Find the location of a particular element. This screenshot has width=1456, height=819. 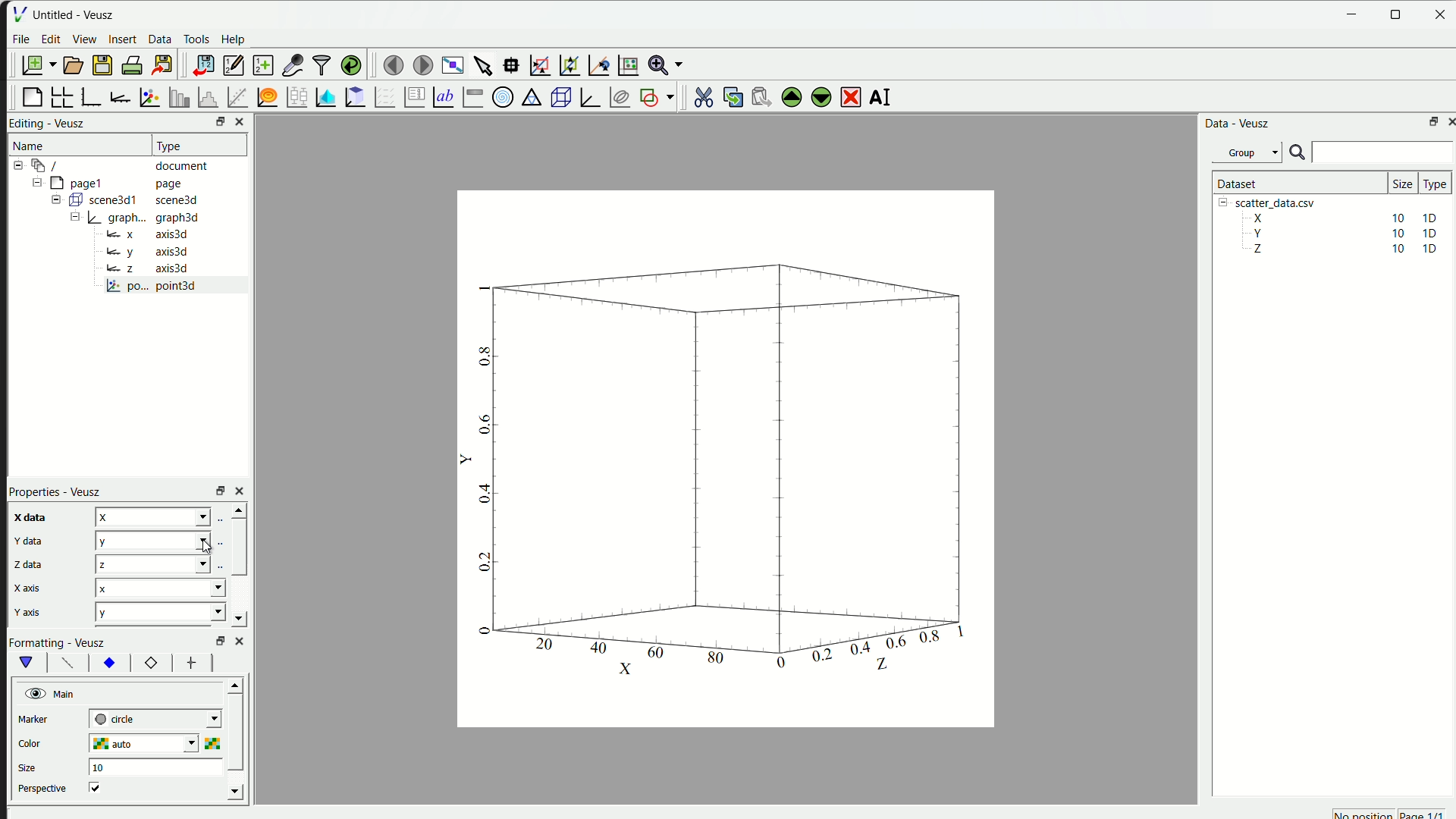

fit function to data is located at coordinates (236, 96).